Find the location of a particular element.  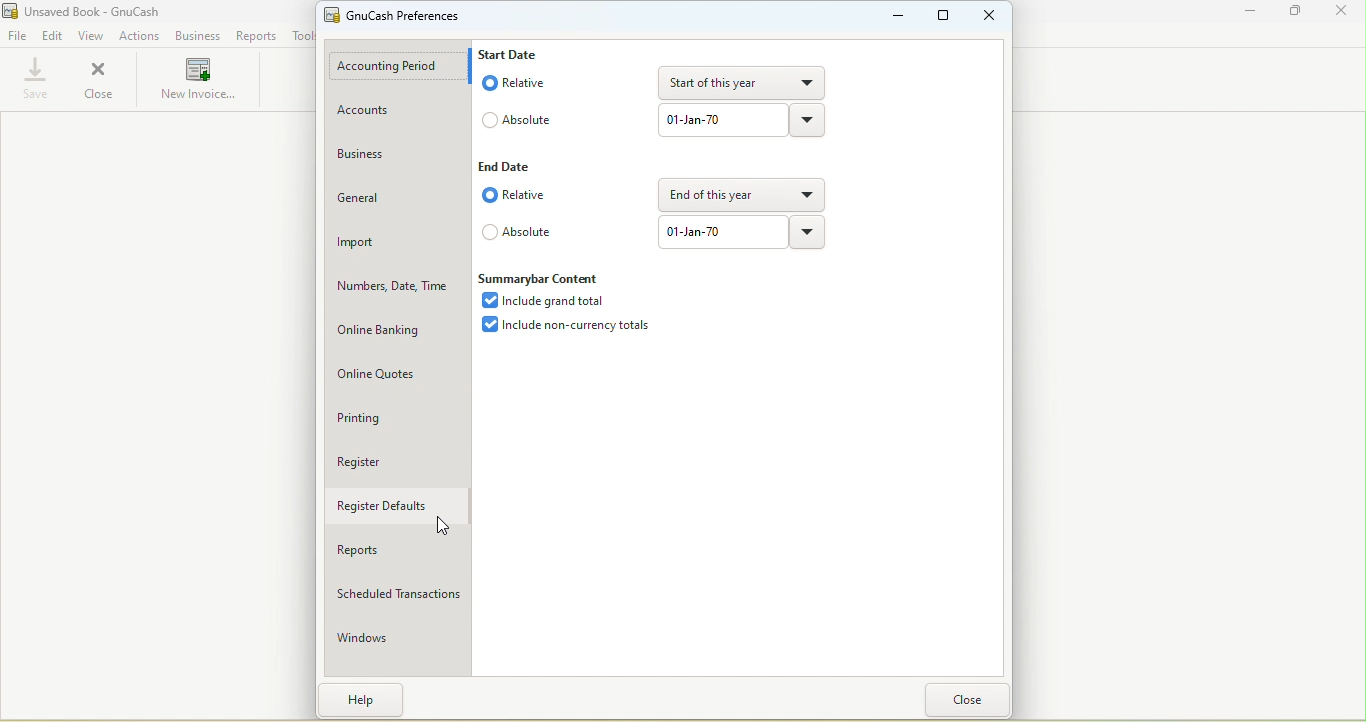

Summarybar content is located at coordinates (552, 277).